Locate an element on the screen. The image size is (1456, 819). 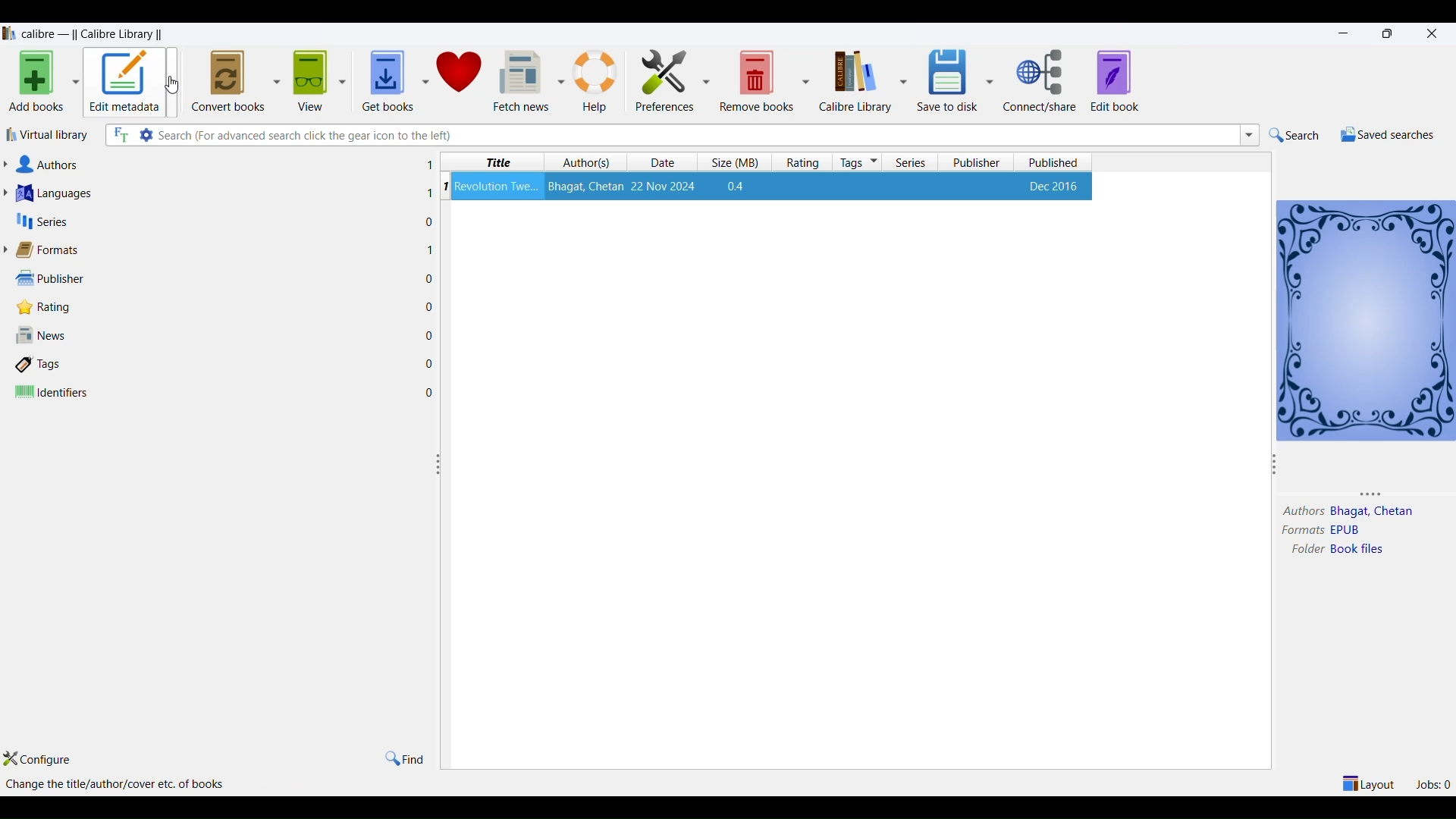
calibre library options dropdown button is located at coordinates (903, 80).